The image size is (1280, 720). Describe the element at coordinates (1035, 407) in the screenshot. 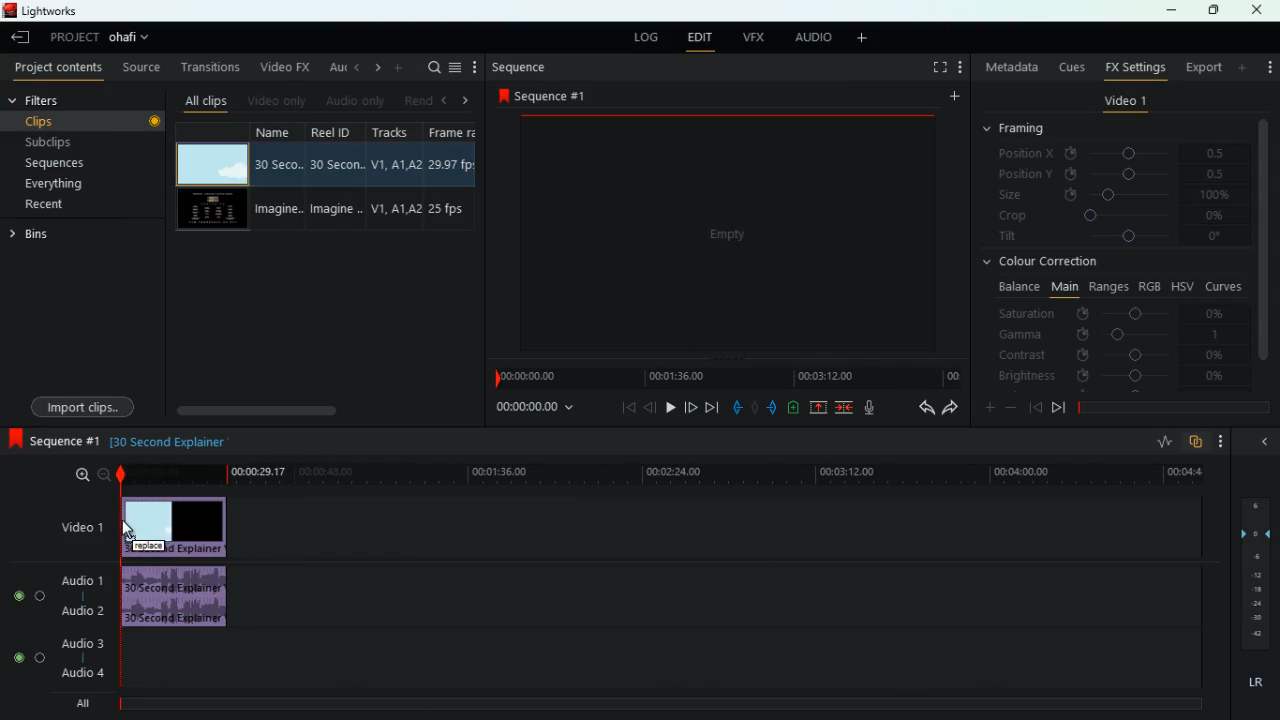

I see `back` at that location.